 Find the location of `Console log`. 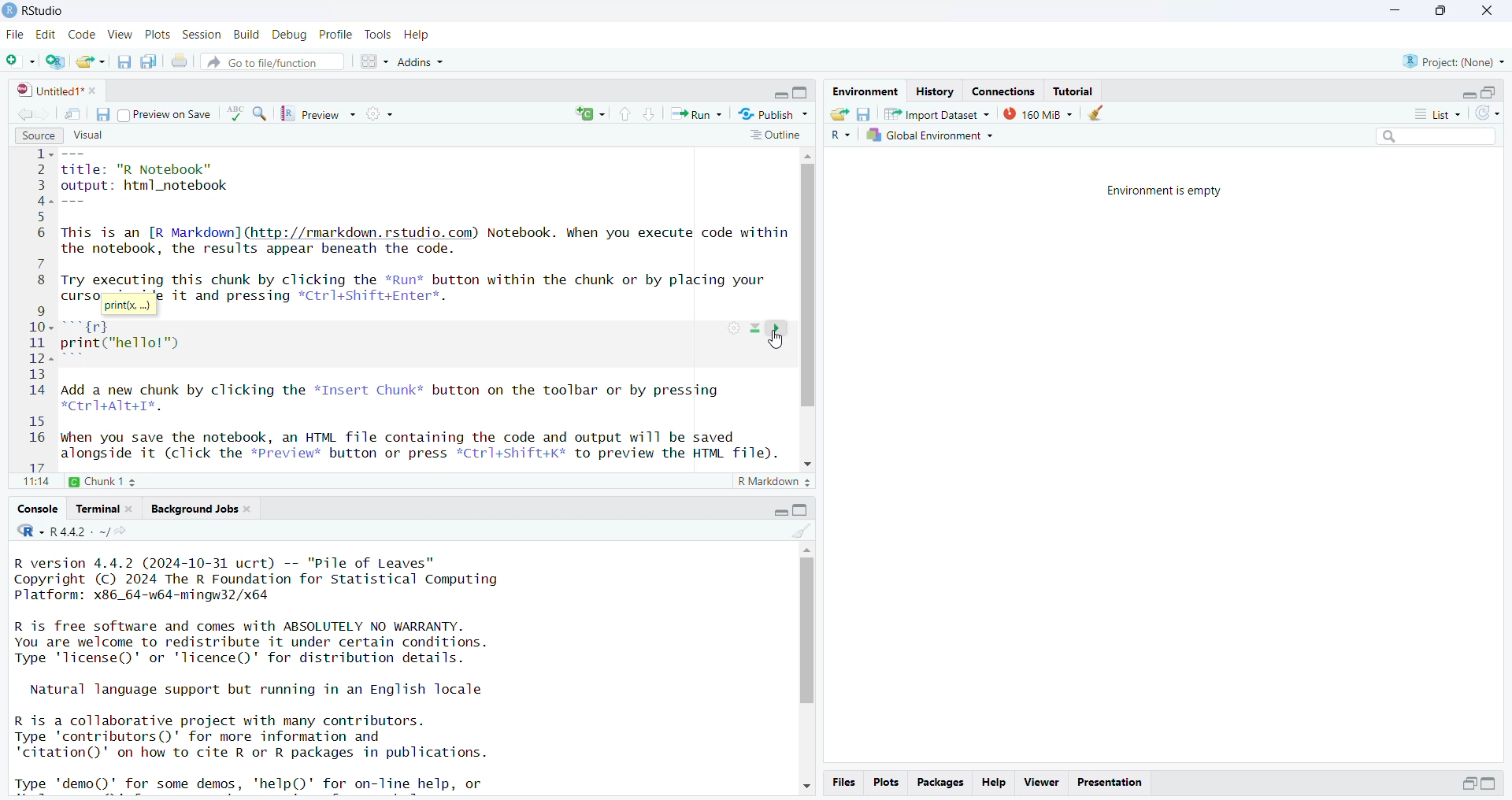

Console log is located at coordinates (275, 671).